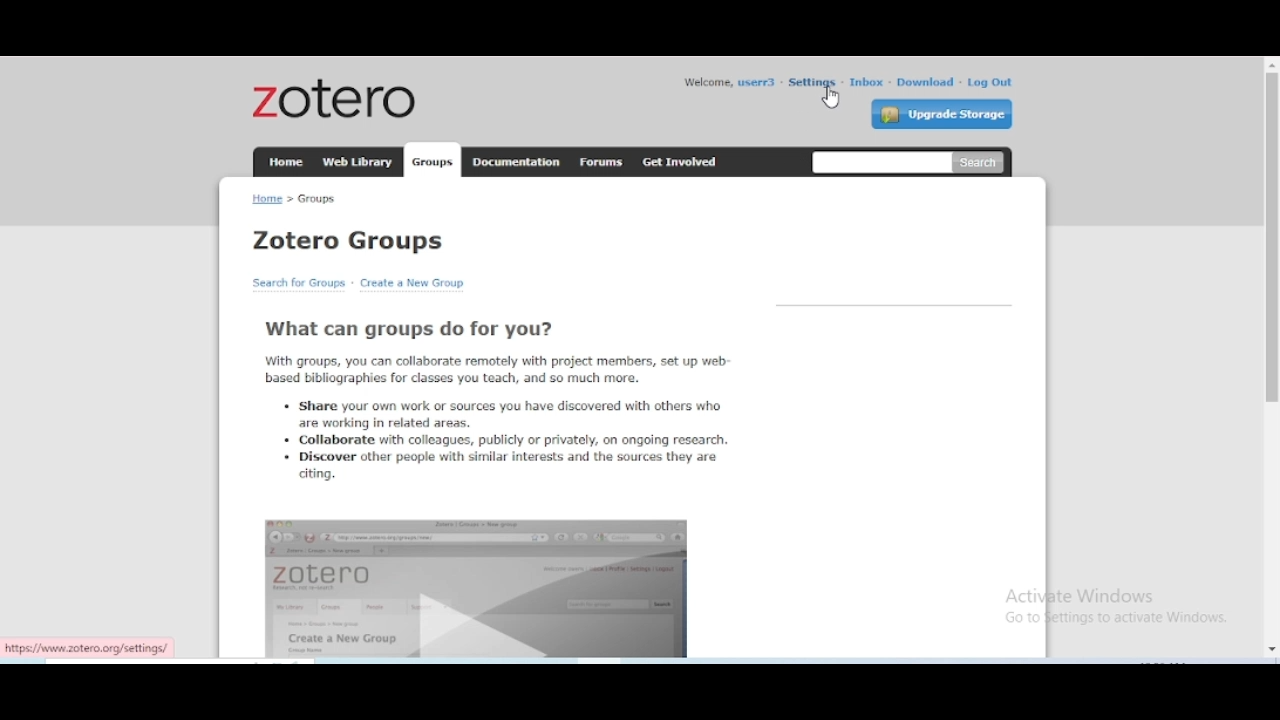 The width and height of the screenshot is (1280, 720). Describe the element at coordinates (927, 82) in the screenshot. I see `download` at that location.